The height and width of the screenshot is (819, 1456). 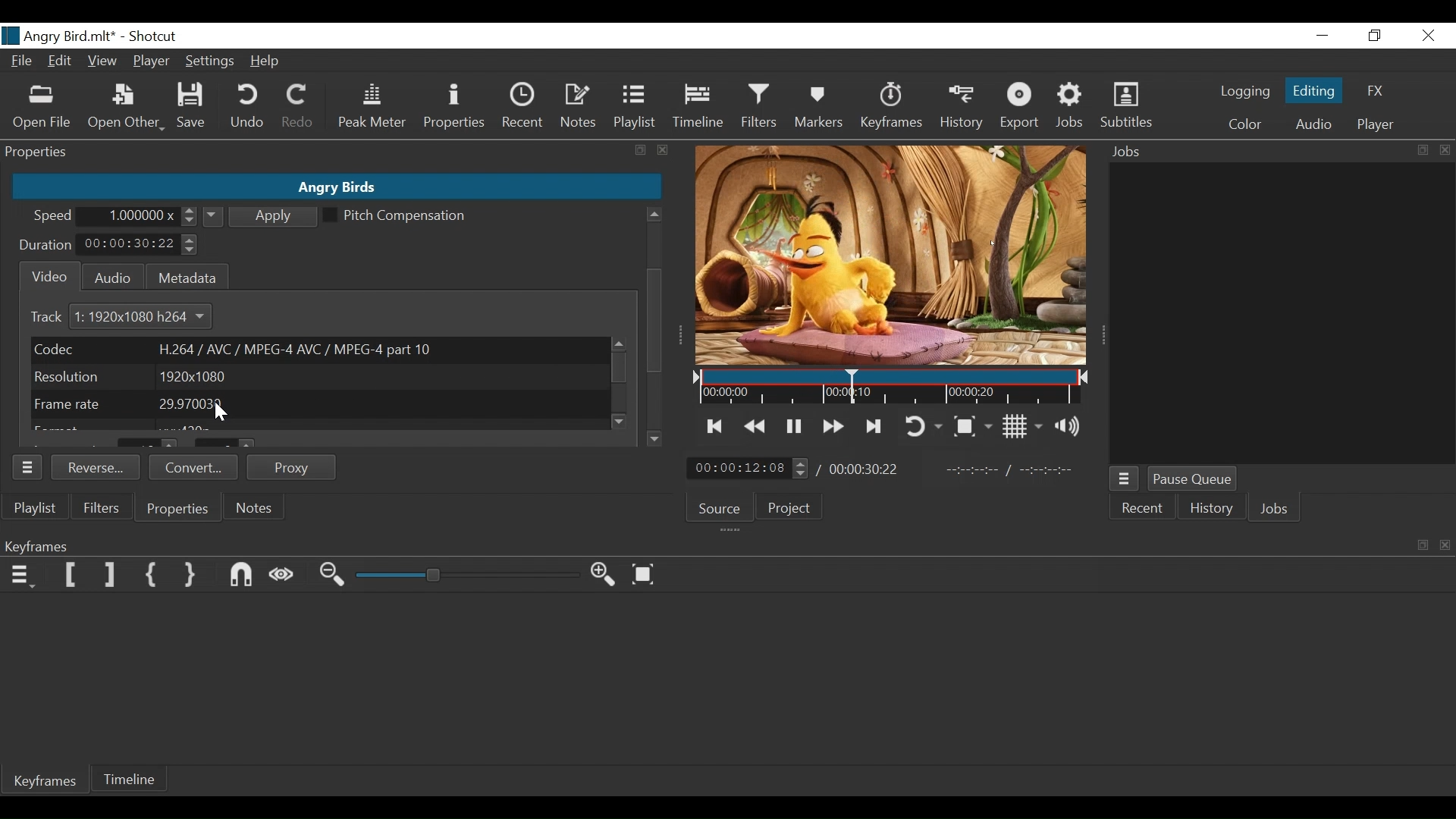 I want to click on Marker, so click(x=822, y=108).